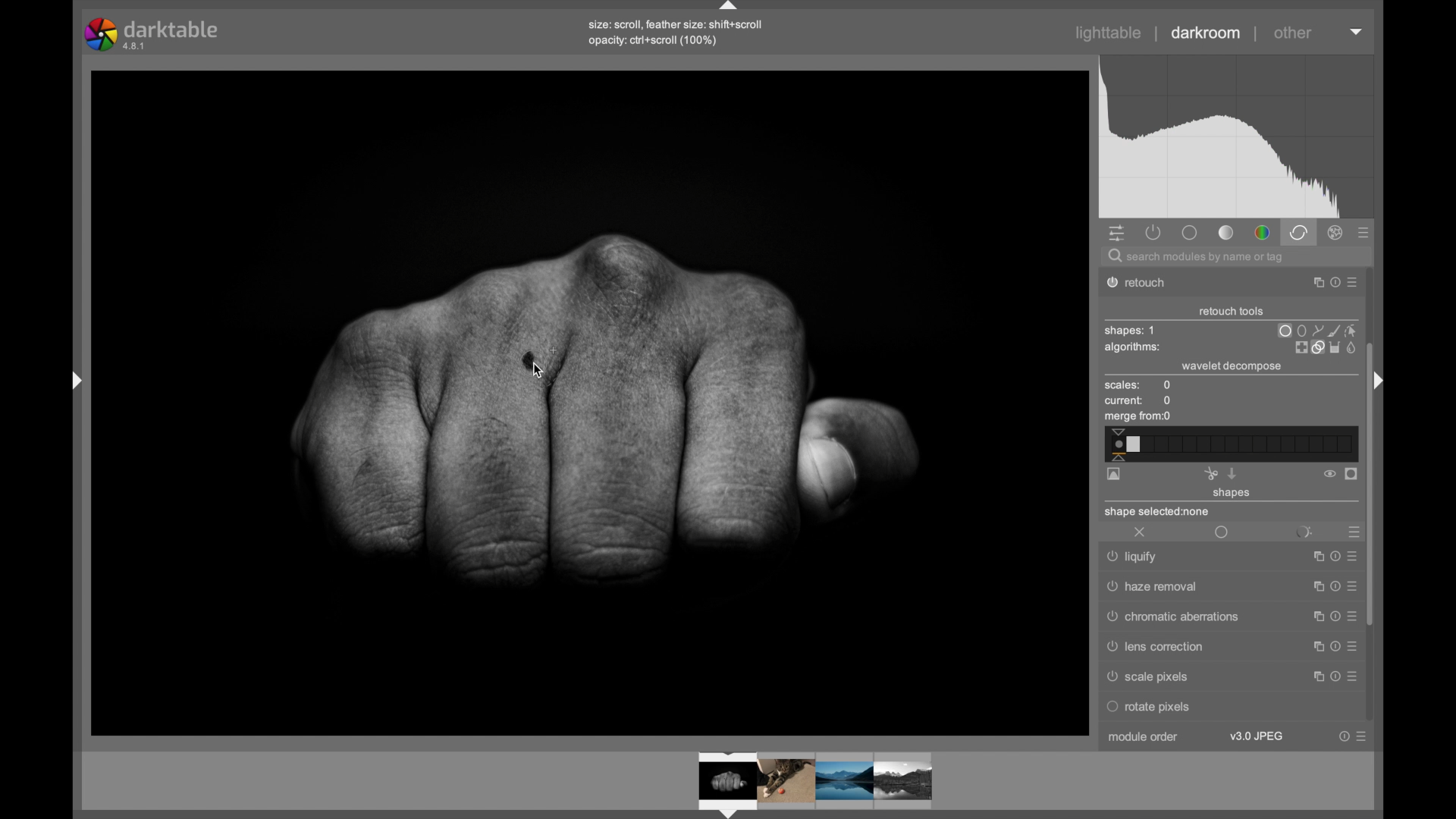 The image size is (1456, 819). I want to click on display wavelet scale, so click(1114, 475).